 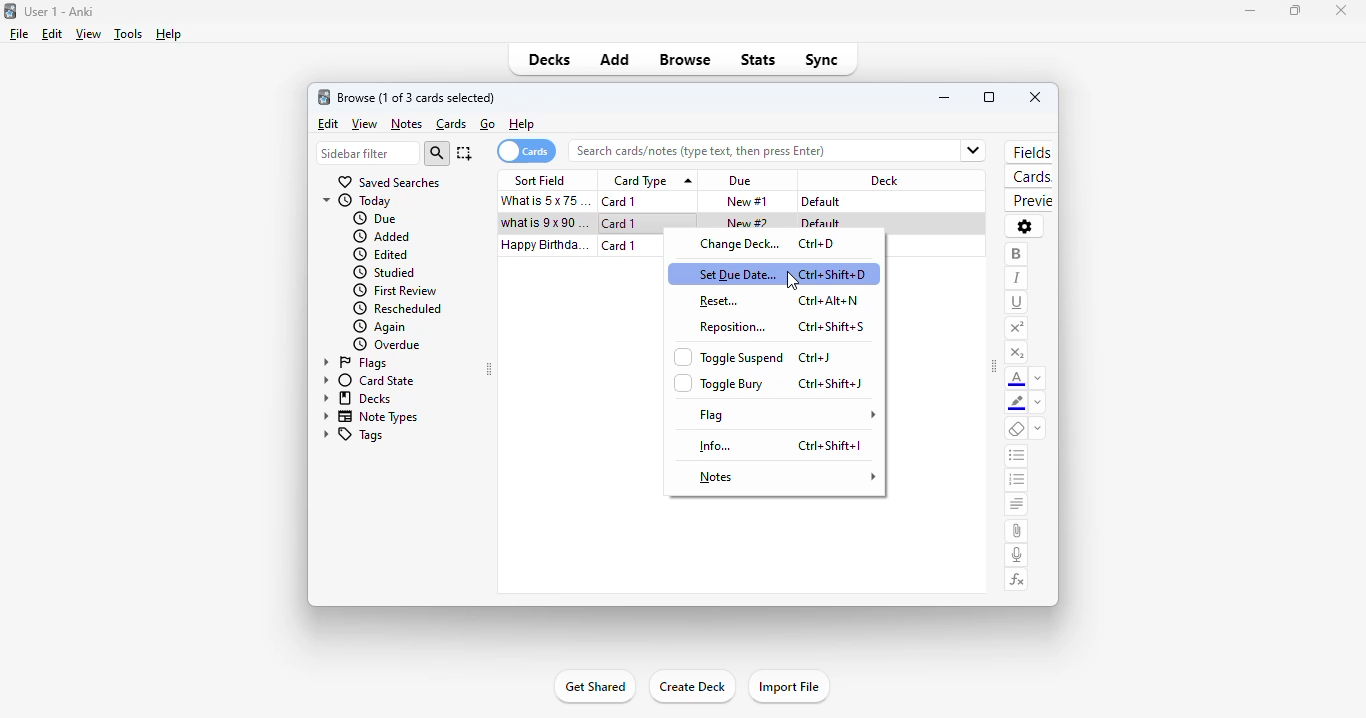 I want to click on tags, so click(x=352, y=435).